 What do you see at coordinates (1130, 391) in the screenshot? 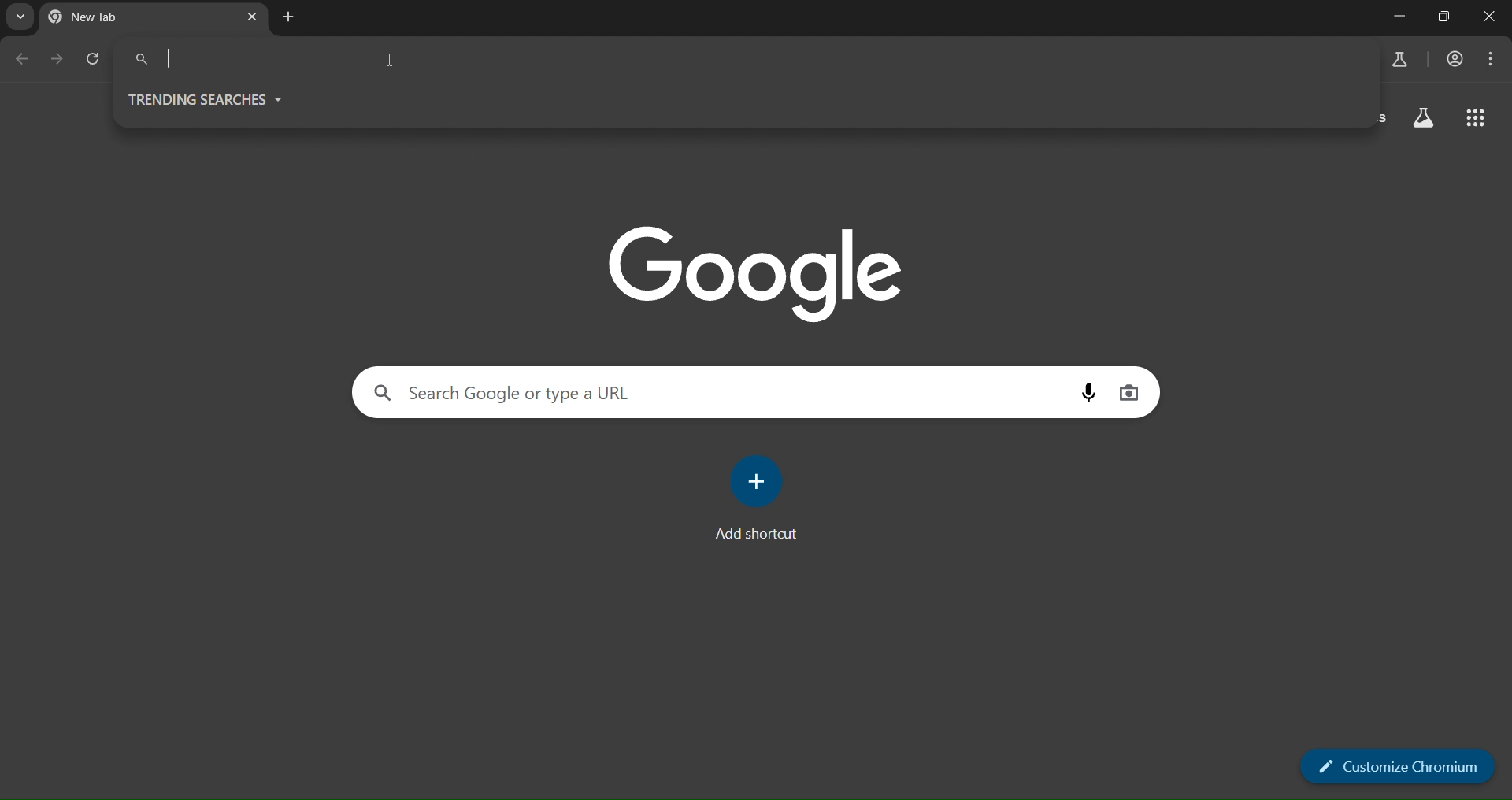
I see `image search` at bounding box center [1130, 391].